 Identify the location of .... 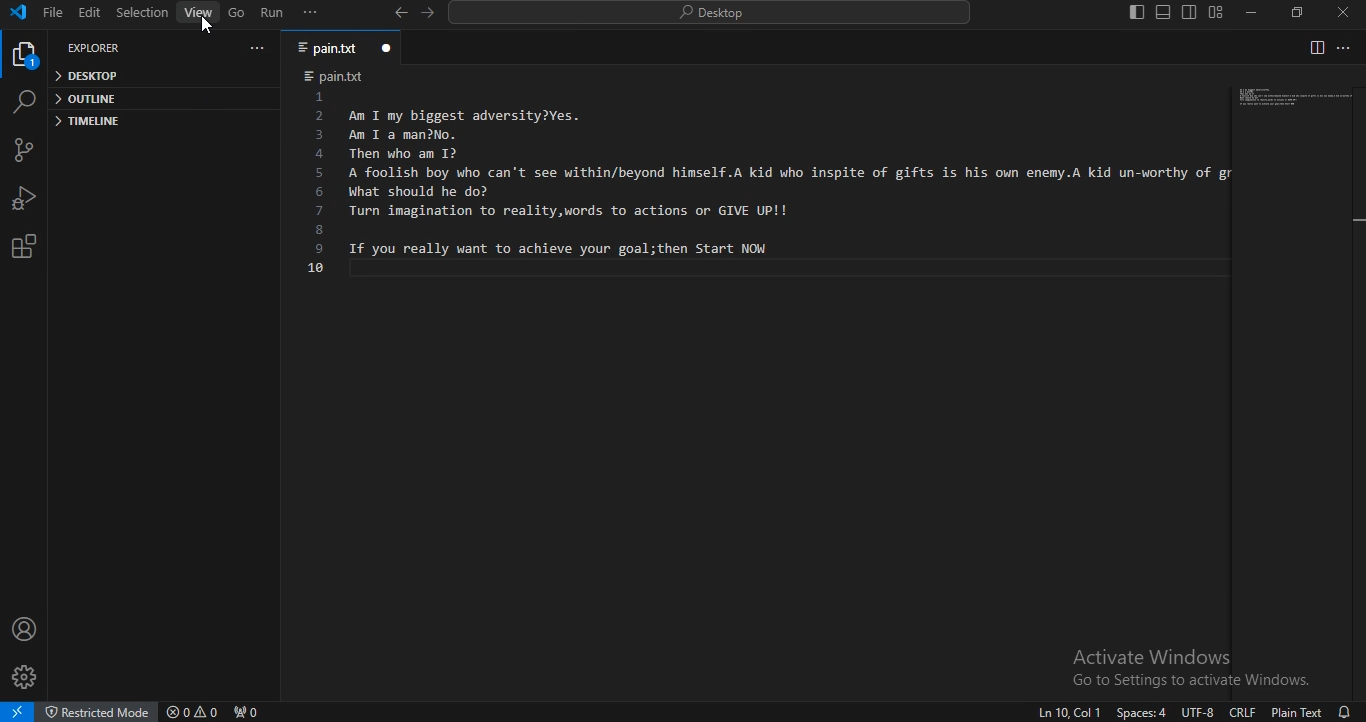
(310, 12).